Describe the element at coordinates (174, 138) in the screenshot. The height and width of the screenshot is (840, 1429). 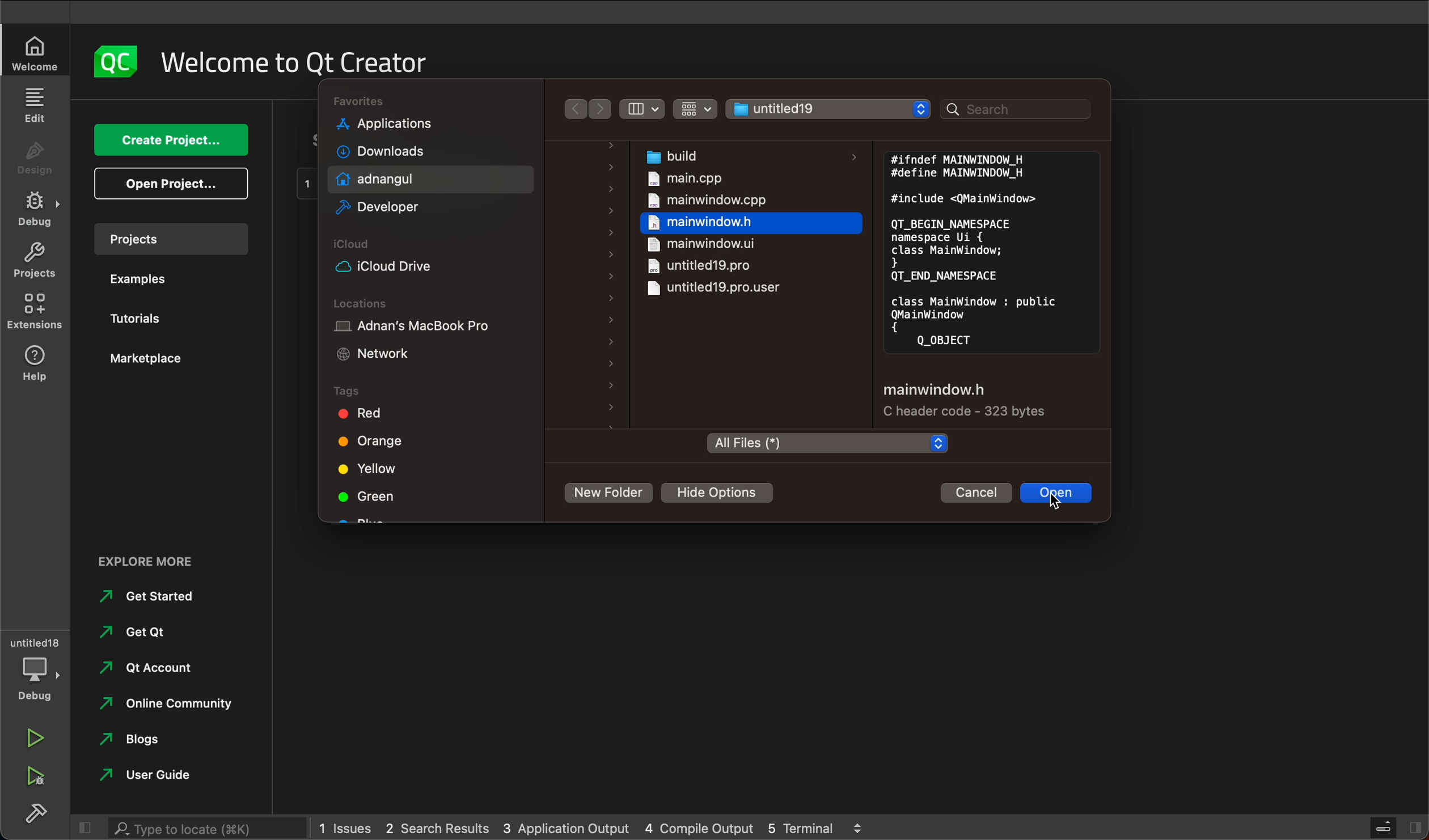
I see `create ` at that location.